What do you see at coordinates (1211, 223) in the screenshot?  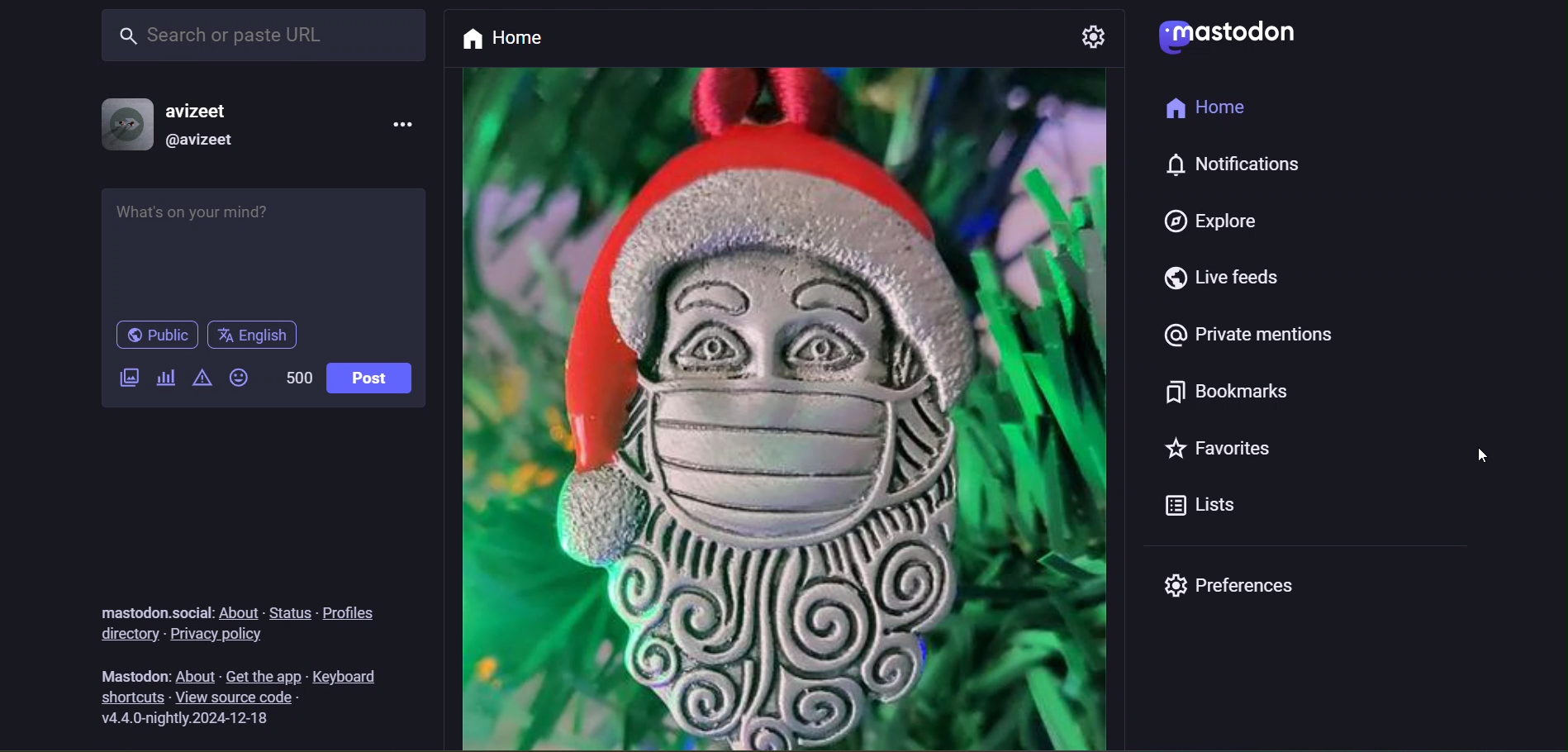 I see `explore` at bounding box center [1211, 223].